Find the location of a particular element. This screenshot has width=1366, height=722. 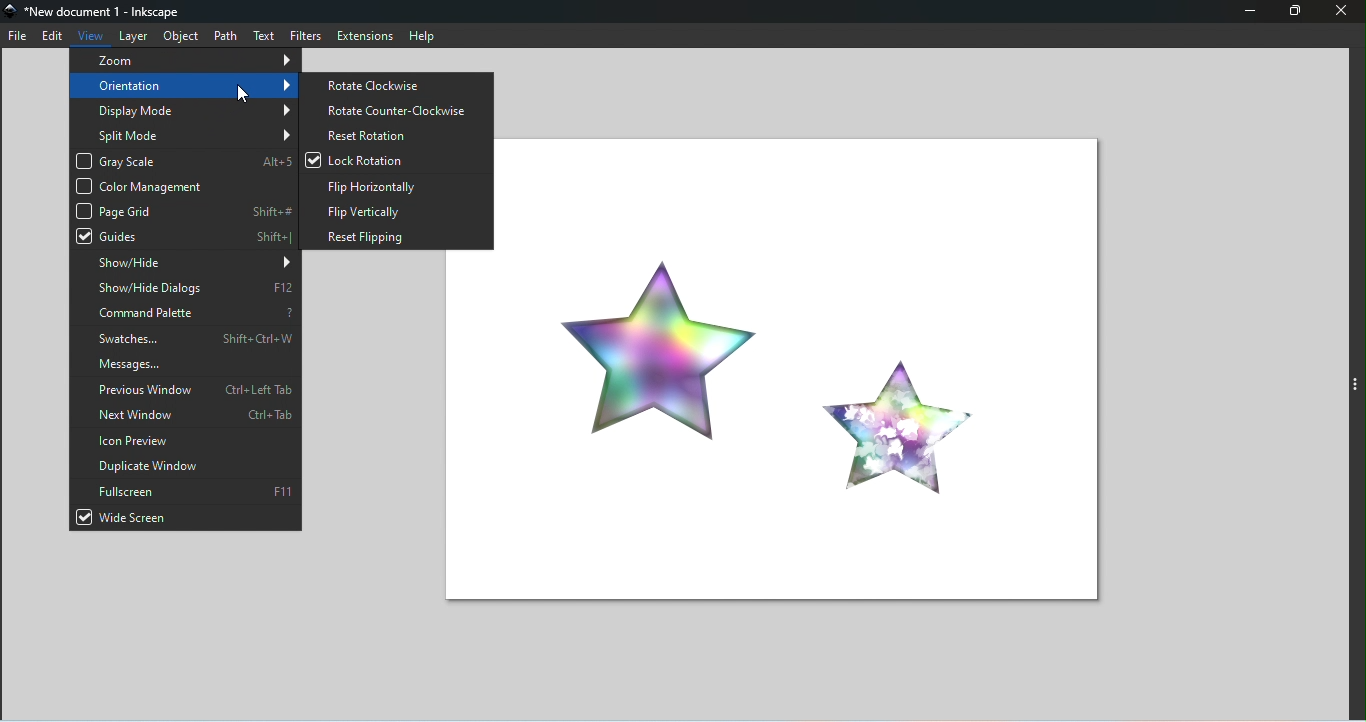

Text is located at coordinates (263, 36).